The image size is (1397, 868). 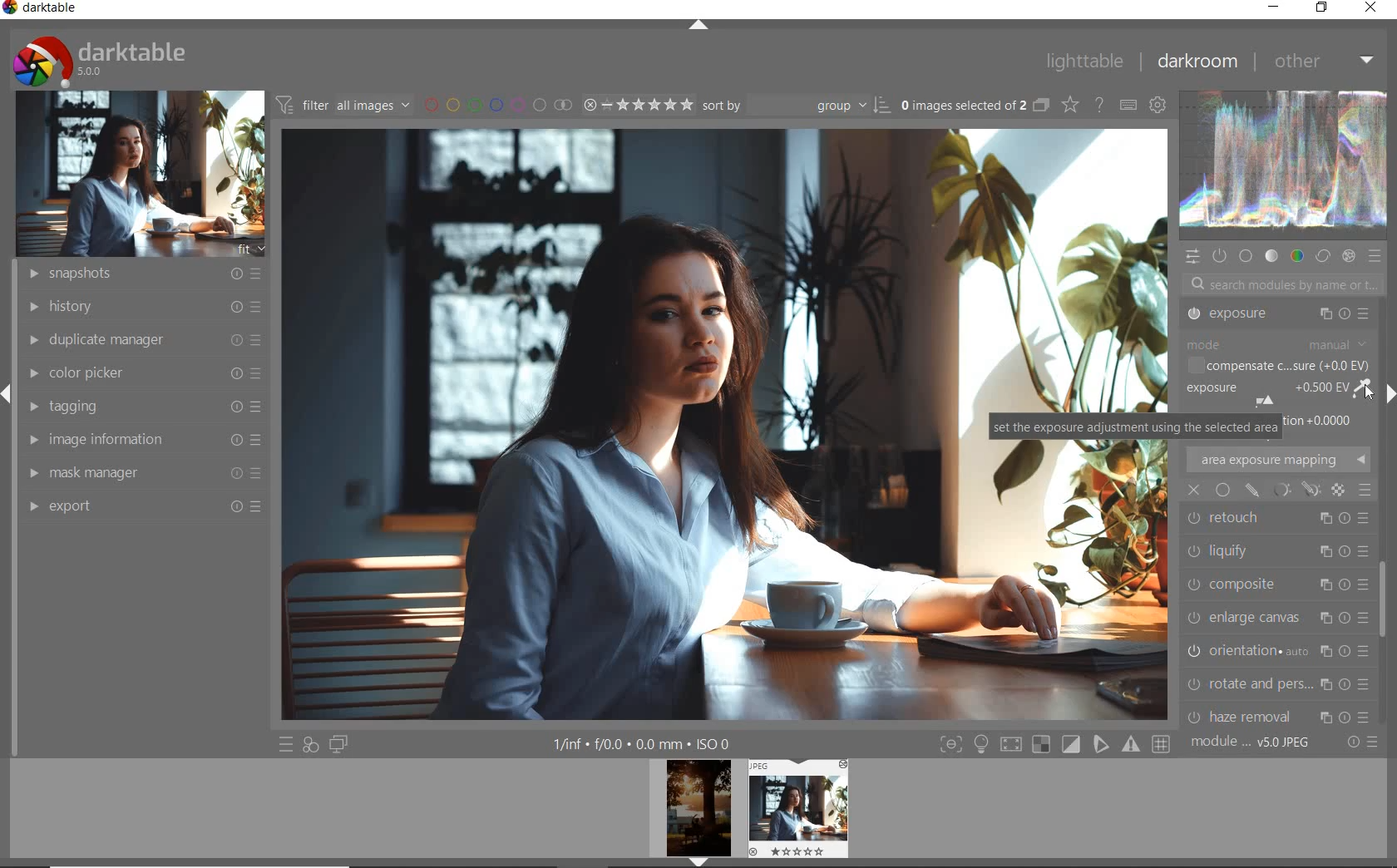 I want to click on TAGGING, so click(x=141, y=405).